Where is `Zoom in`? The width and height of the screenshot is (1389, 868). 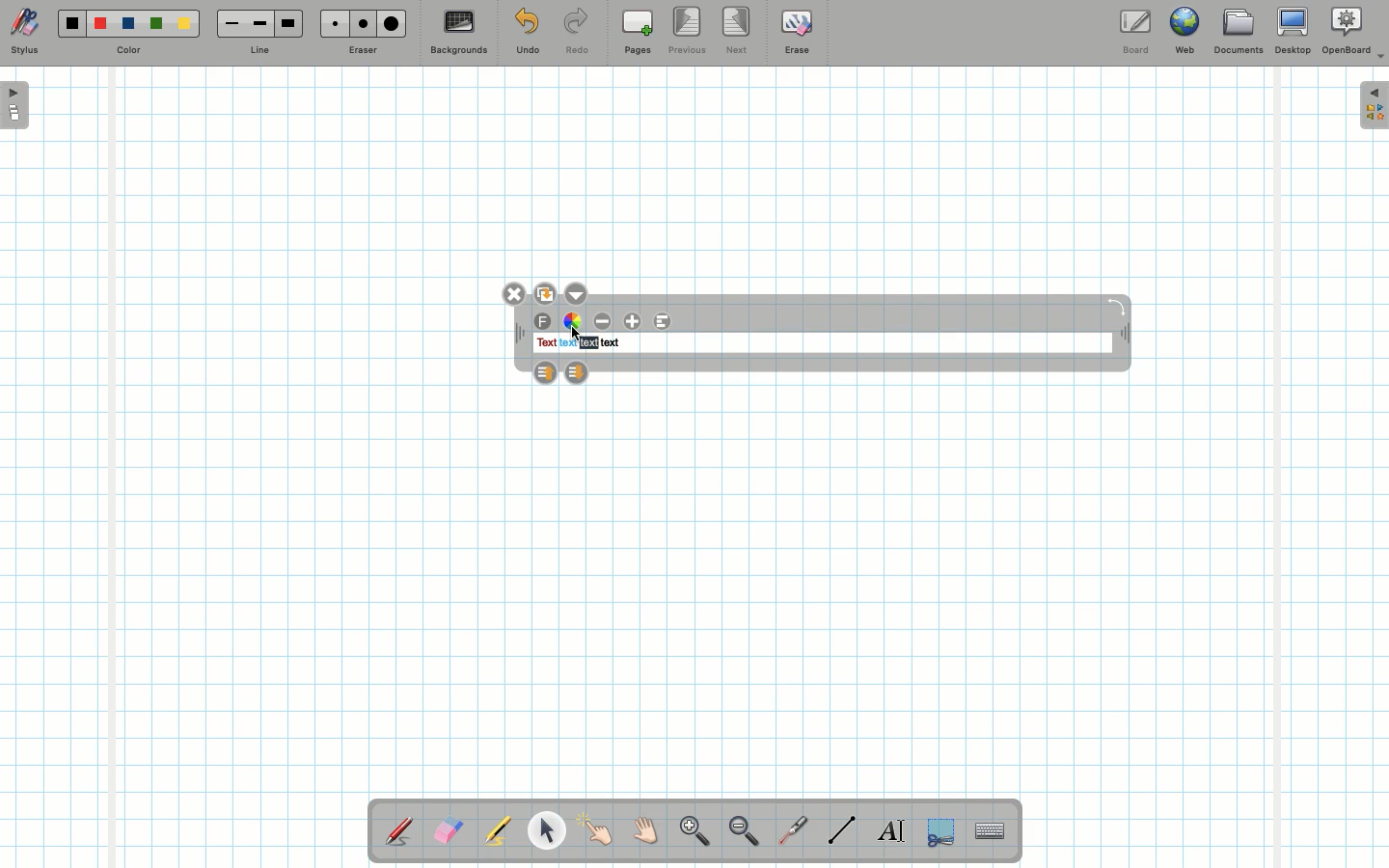
Zoom in is located at coordinates (690, 833).